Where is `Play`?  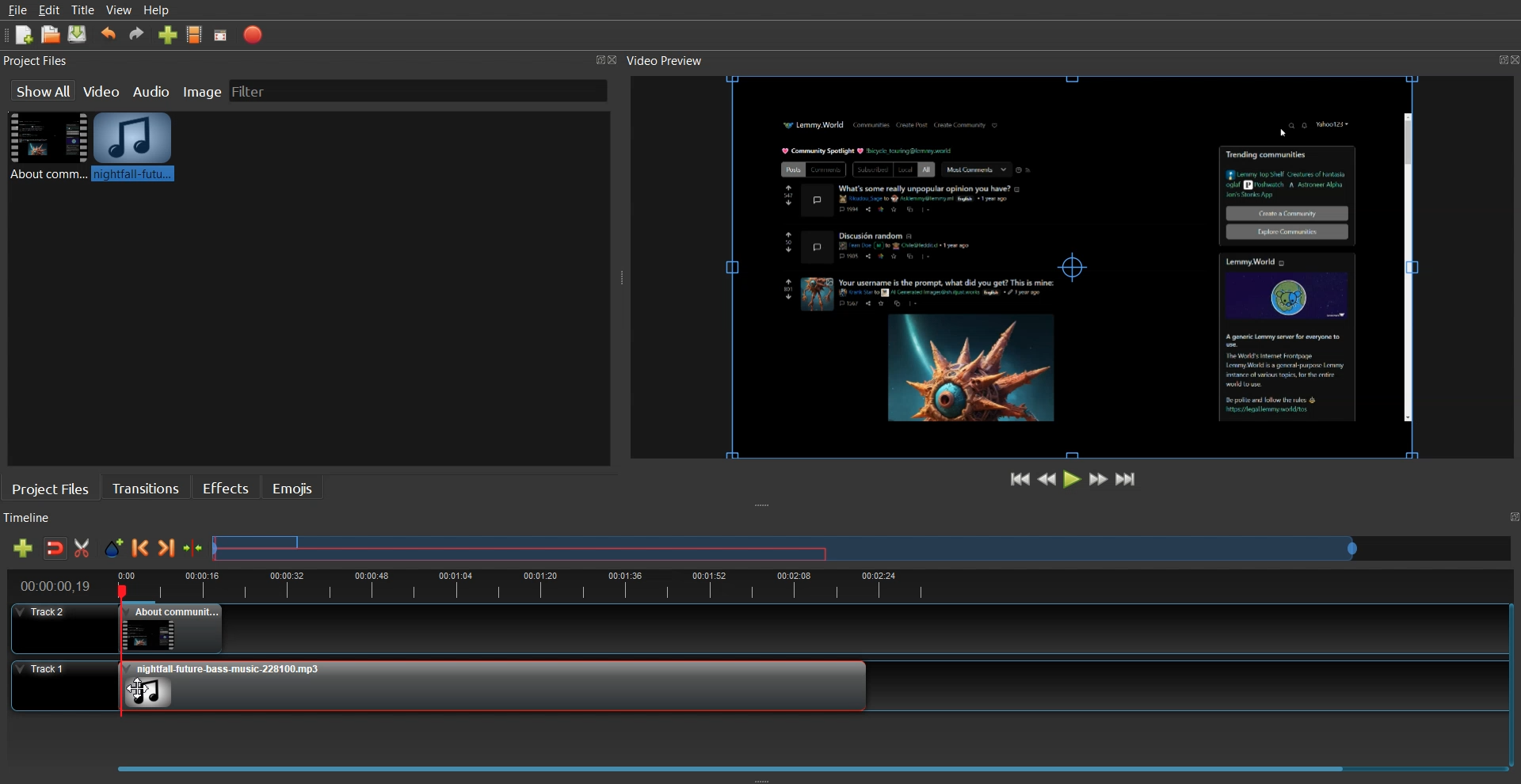
Play is located at coordinates (1073, 478).